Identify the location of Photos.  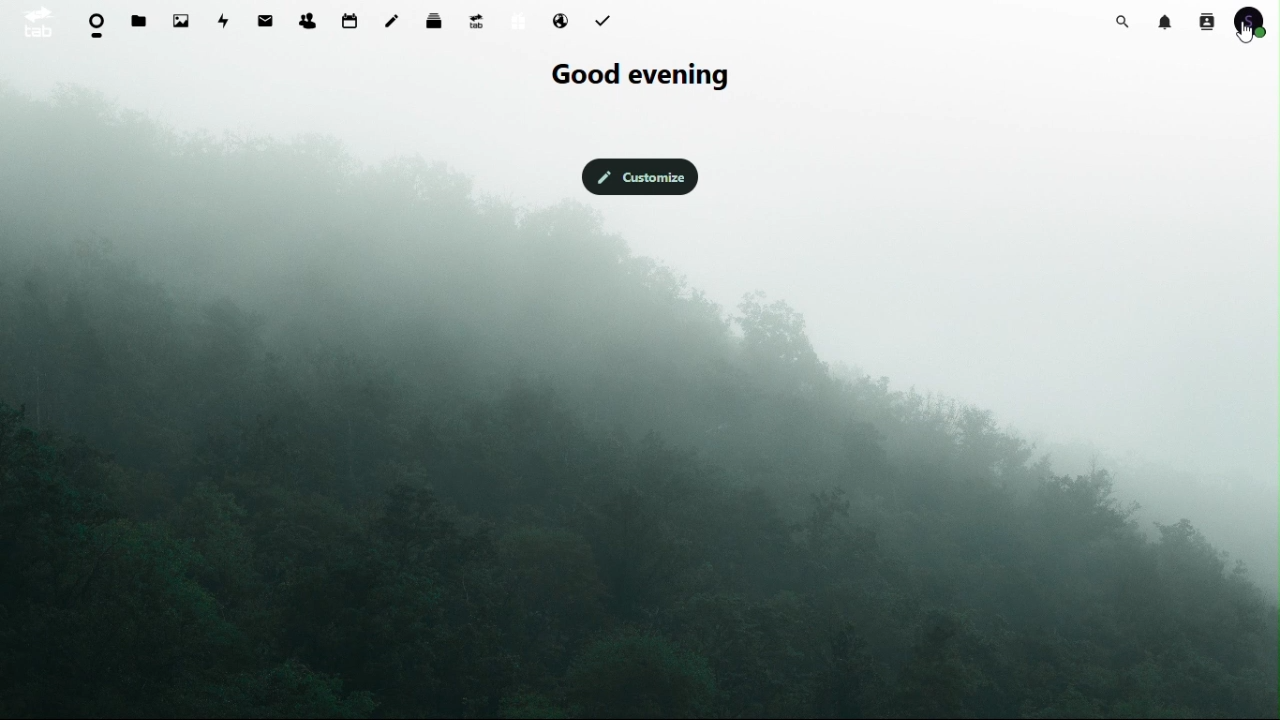
(181, 20).